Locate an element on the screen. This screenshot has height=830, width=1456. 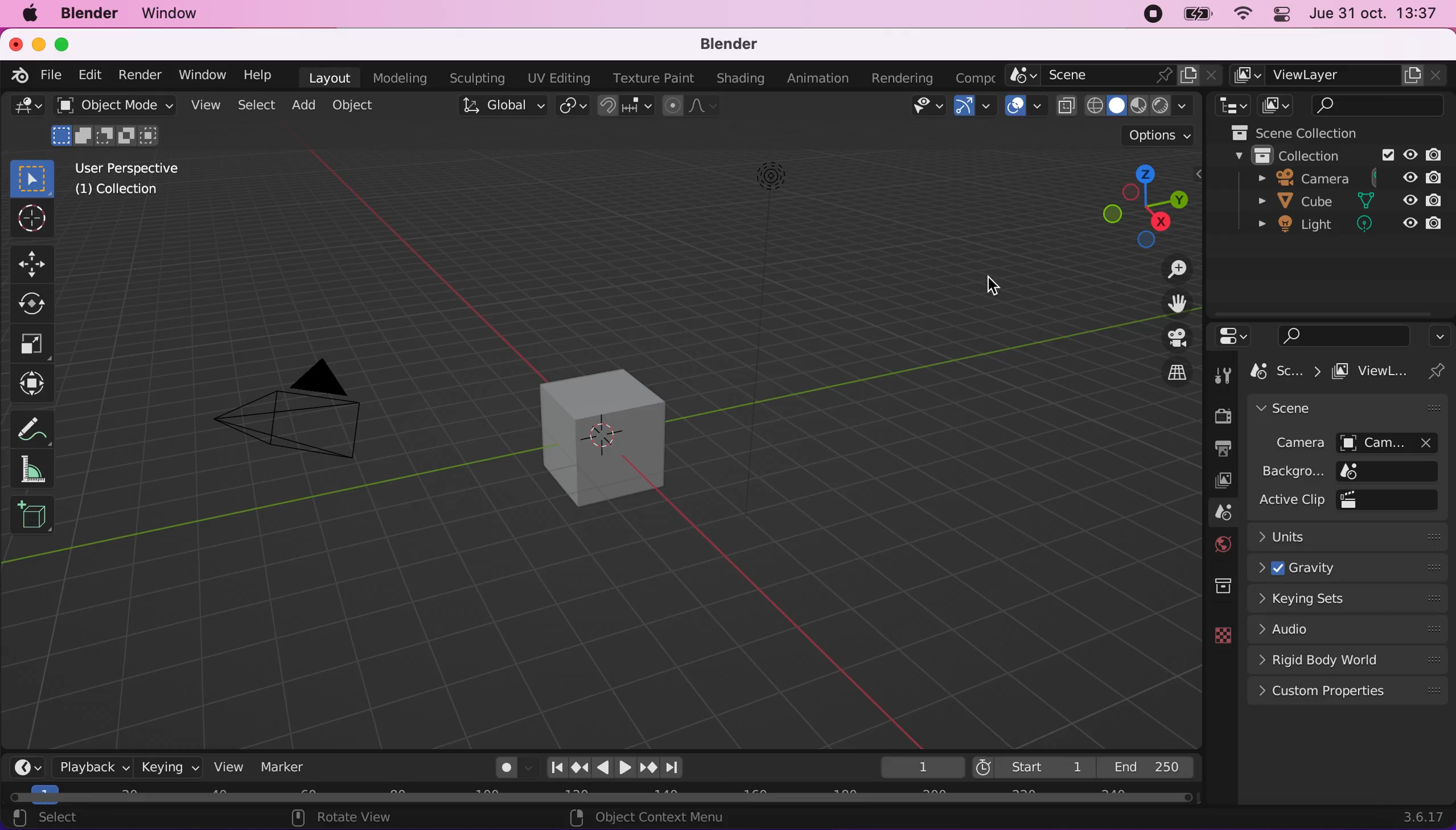
editor type is located at coordinates (1234, 106).